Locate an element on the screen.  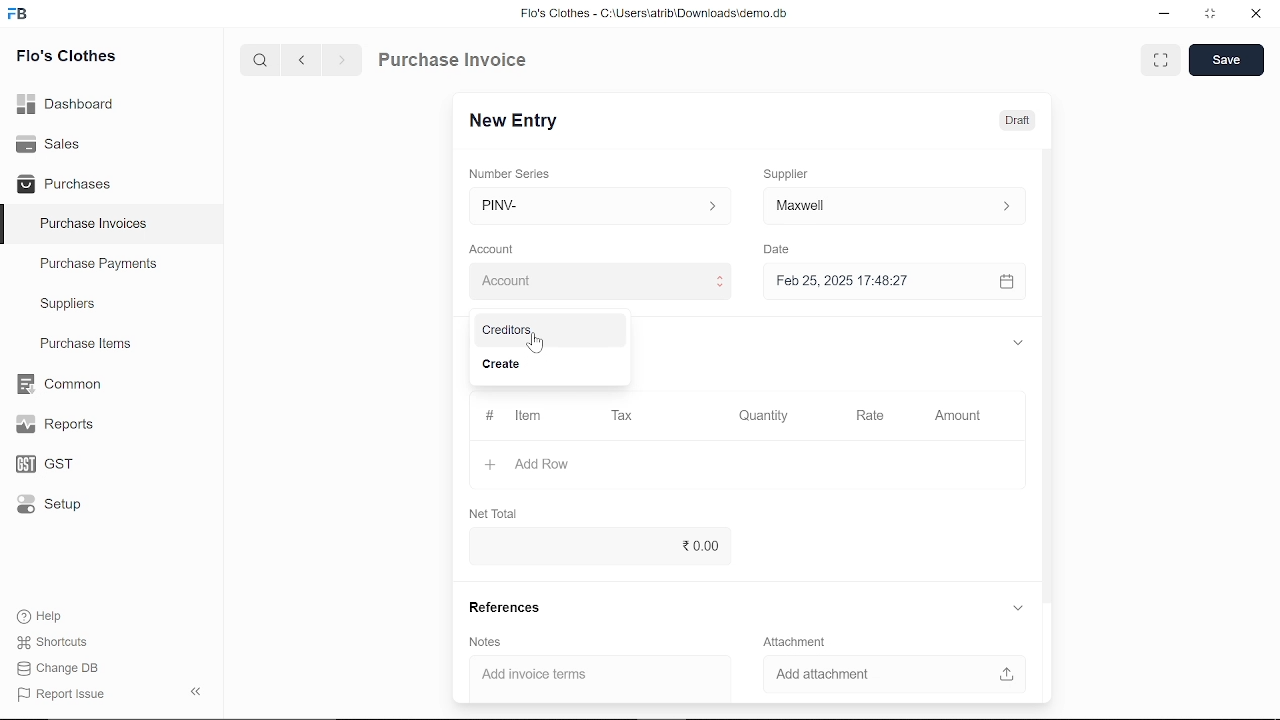
hide is located at coordinates (192, 693).